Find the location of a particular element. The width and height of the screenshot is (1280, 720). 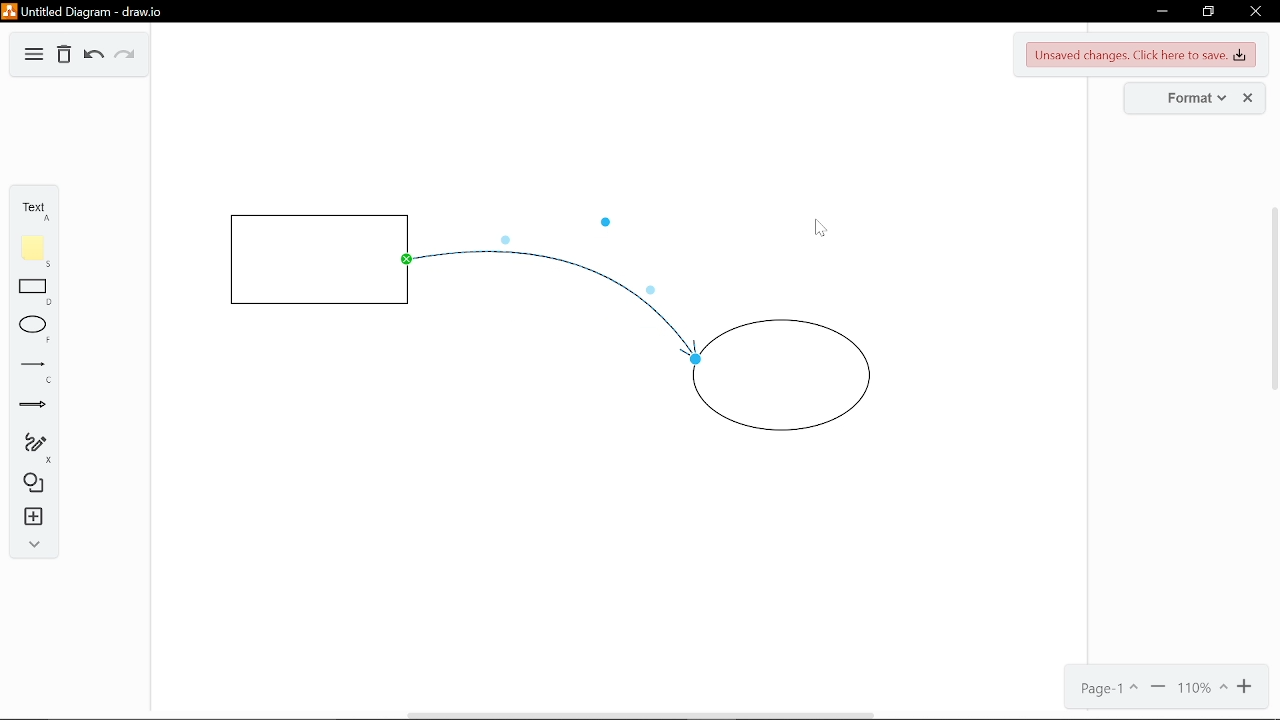

Restore down is located at coordinates (1209, 11).